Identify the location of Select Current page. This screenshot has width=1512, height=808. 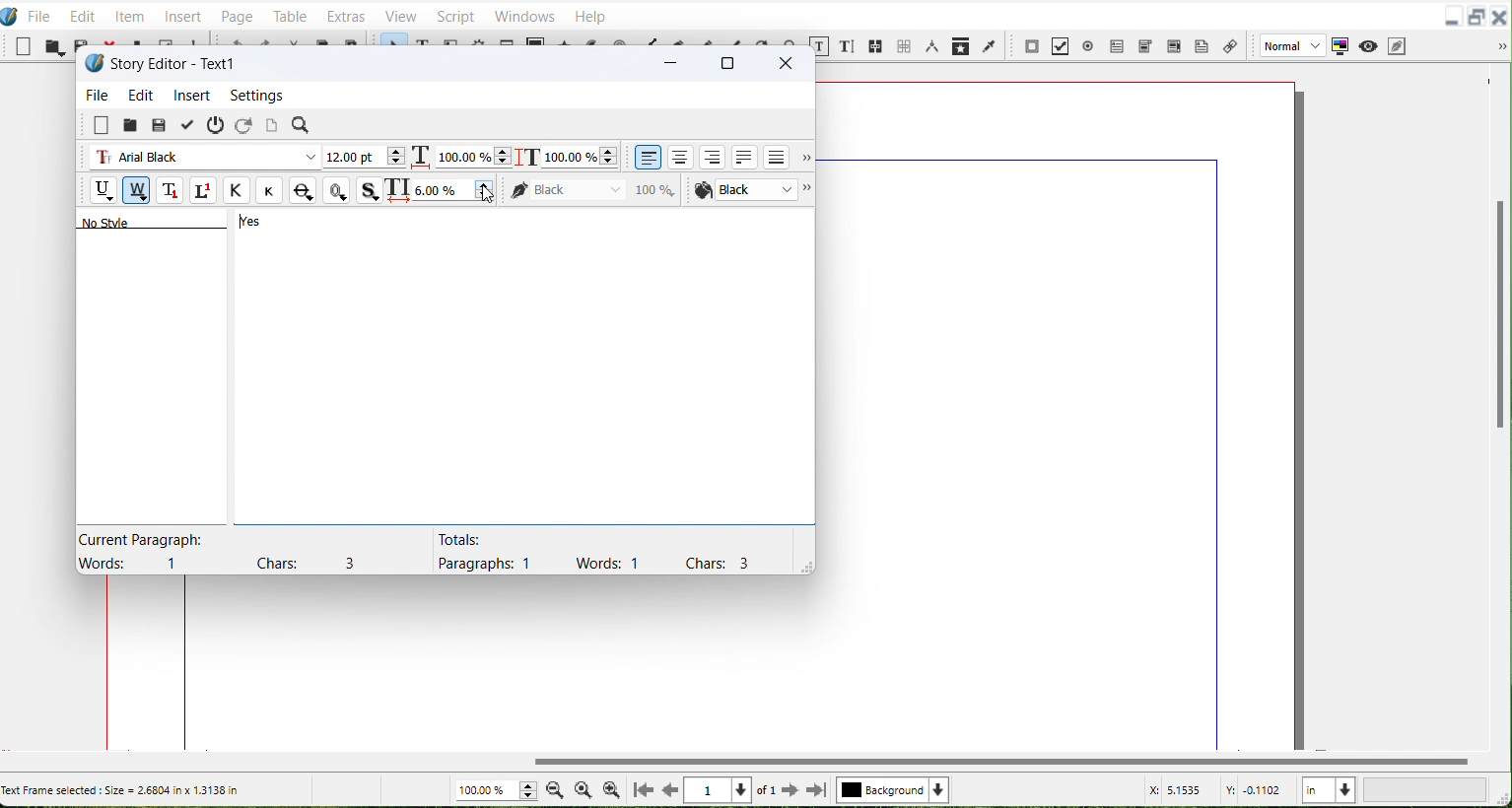
(732, 790).